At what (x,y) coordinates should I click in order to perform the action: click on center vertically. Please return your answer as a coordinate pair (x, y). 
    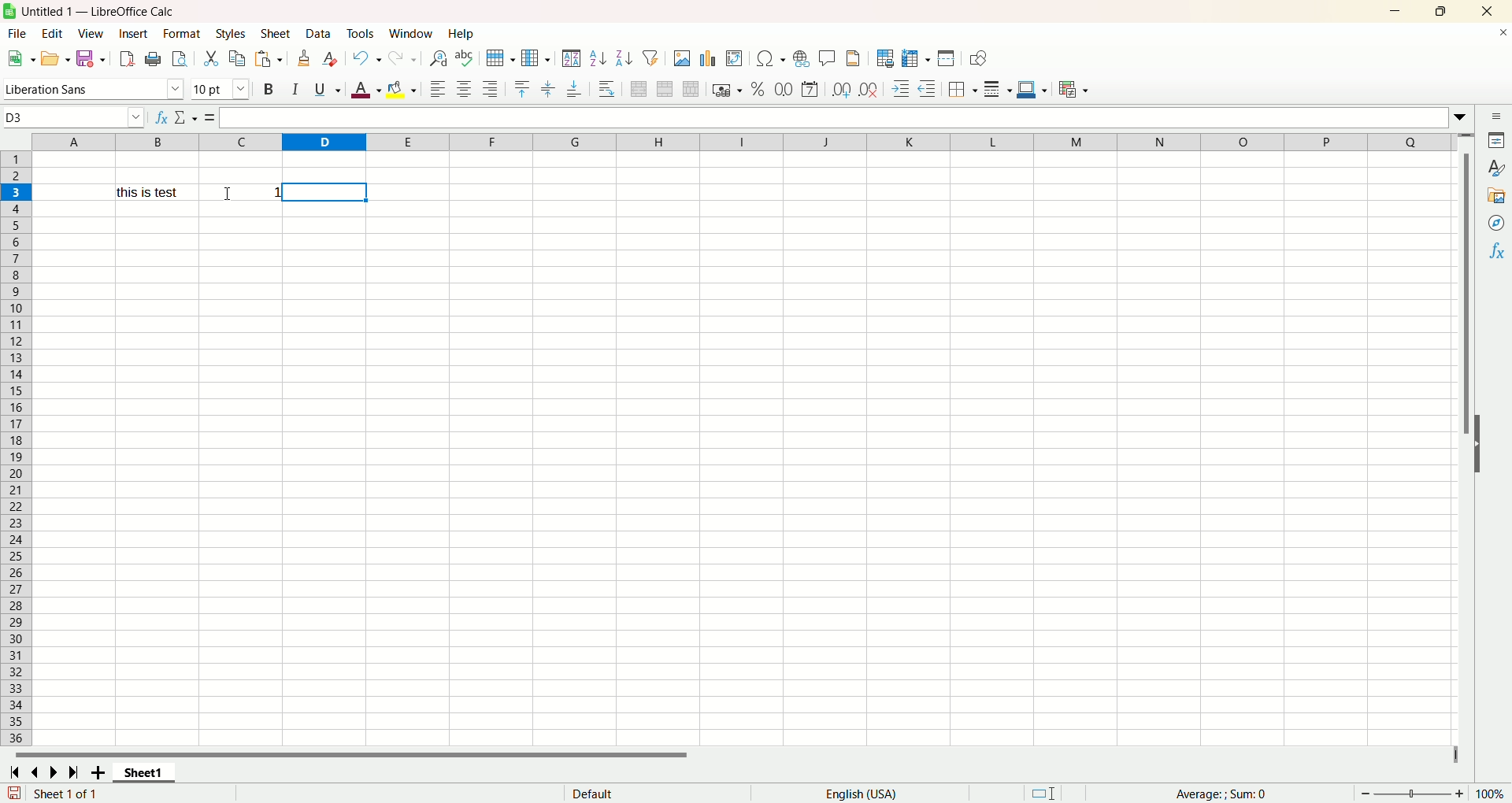
    Looking at the image, I should click on (547, 89).